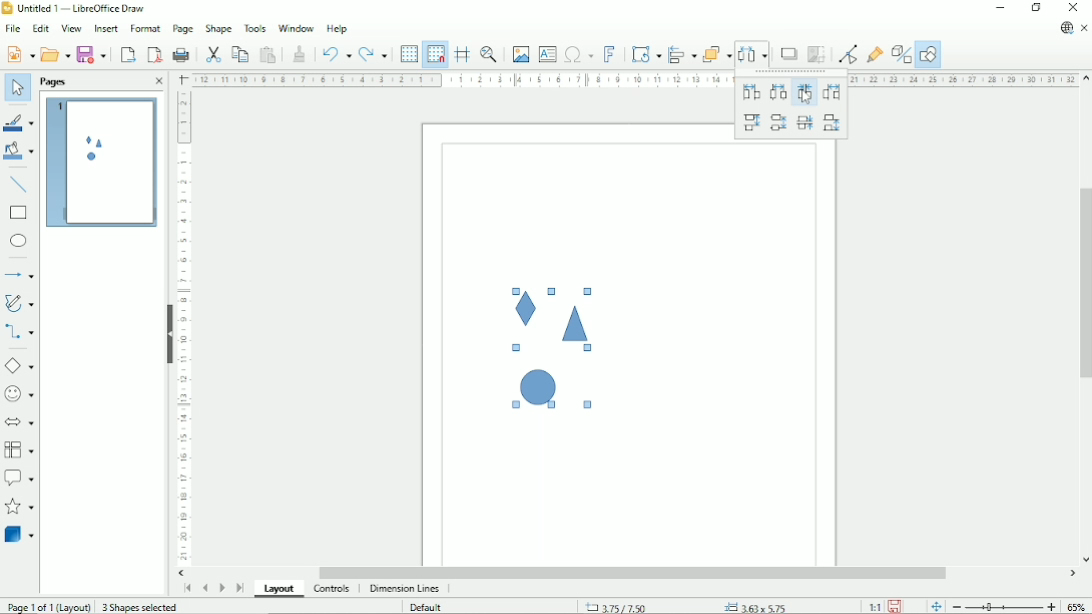 The height and width of the screenshot is (614, 1092). What do you see at coordinates (1085, 560) in the screenshot?
I see `Vertical scroll button` at bounding box center [1085, 560].